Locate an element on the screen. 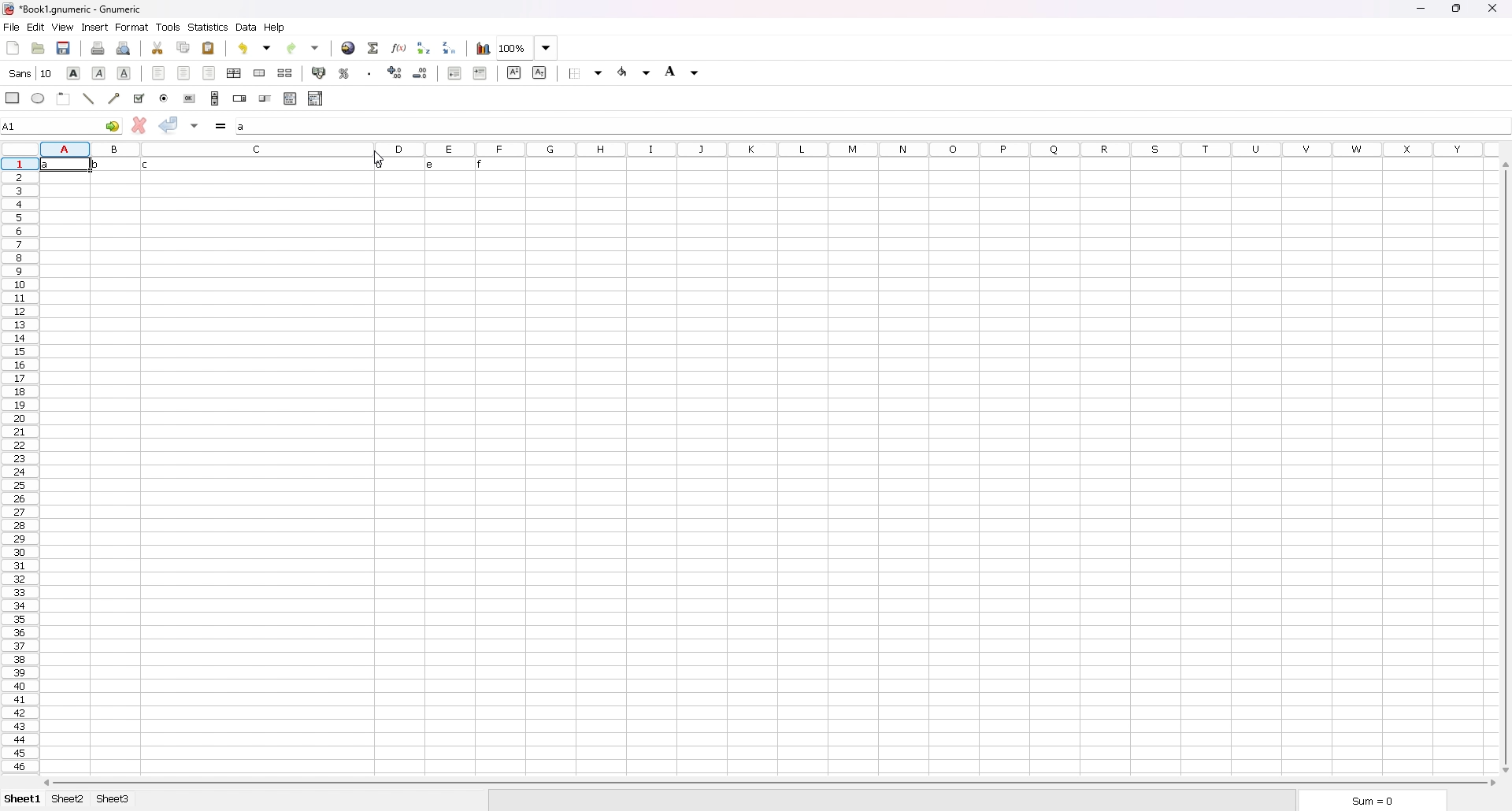 The width and height of the screenshot is (1512, 811). background is located at coordinates (684, 71).